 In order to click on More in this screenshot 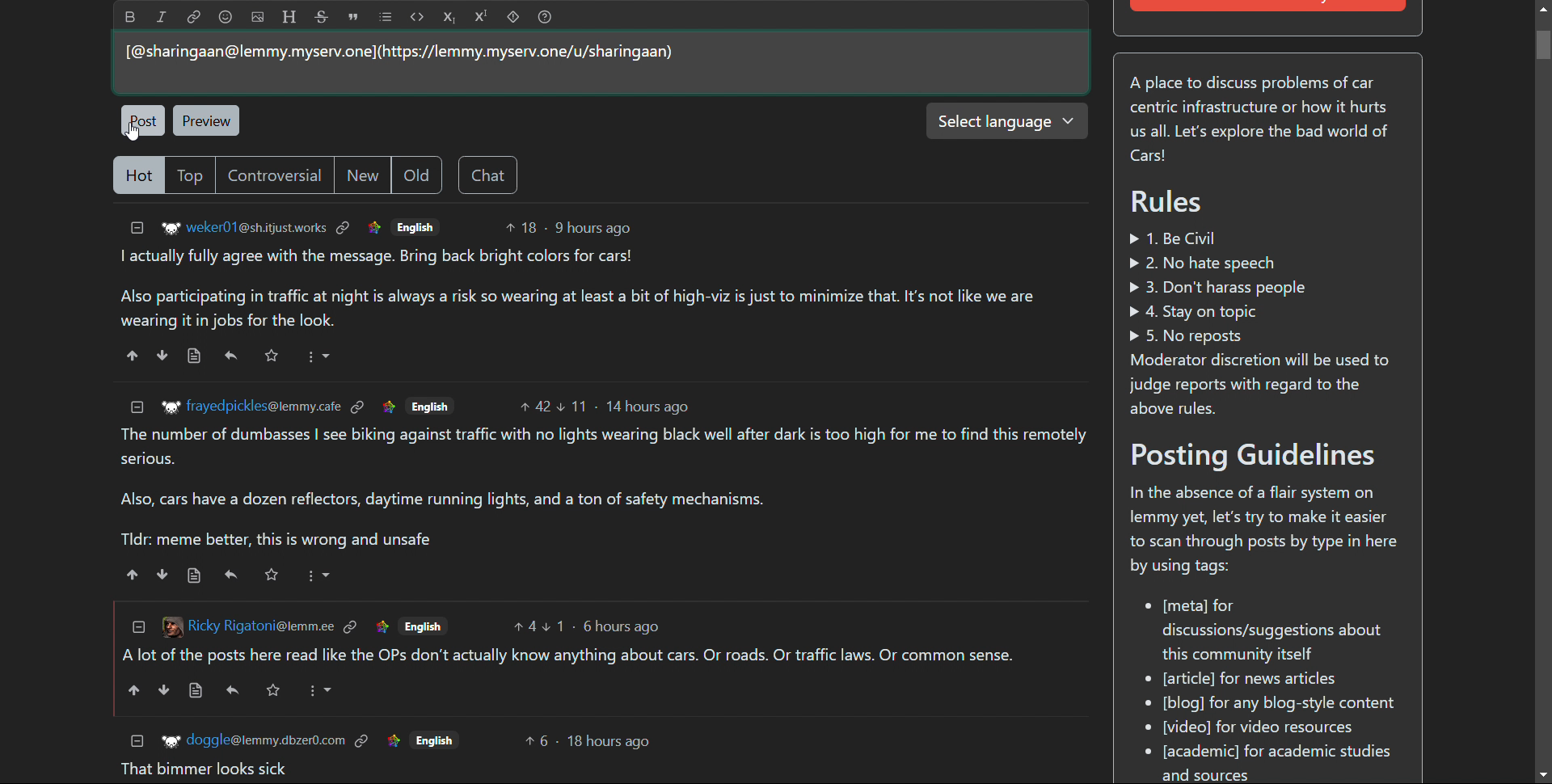, I will do `click(318, 575)`.